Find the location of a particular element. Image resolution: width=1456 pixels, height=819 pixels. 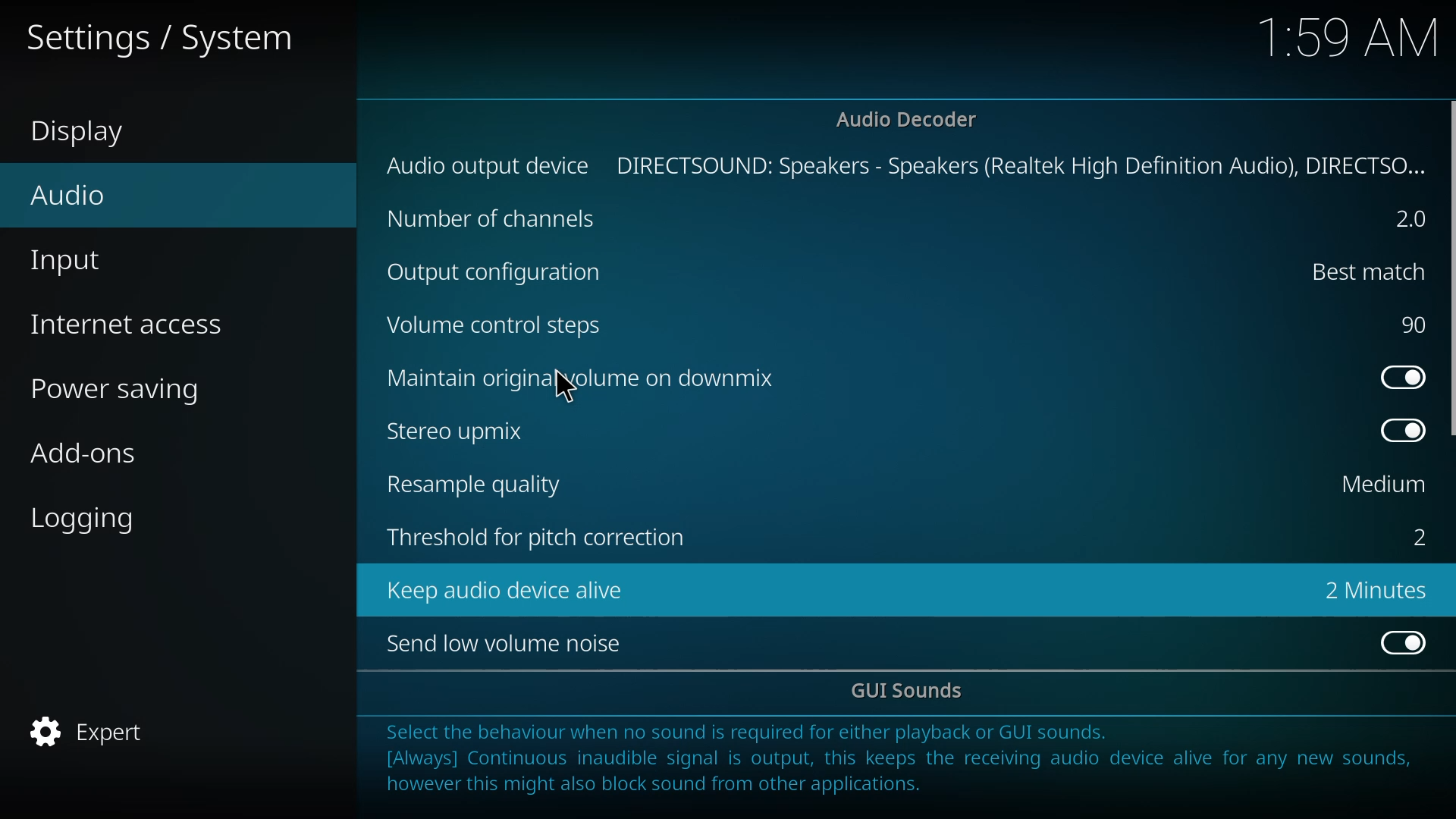

enabled is located at coordinates (1397, 430).